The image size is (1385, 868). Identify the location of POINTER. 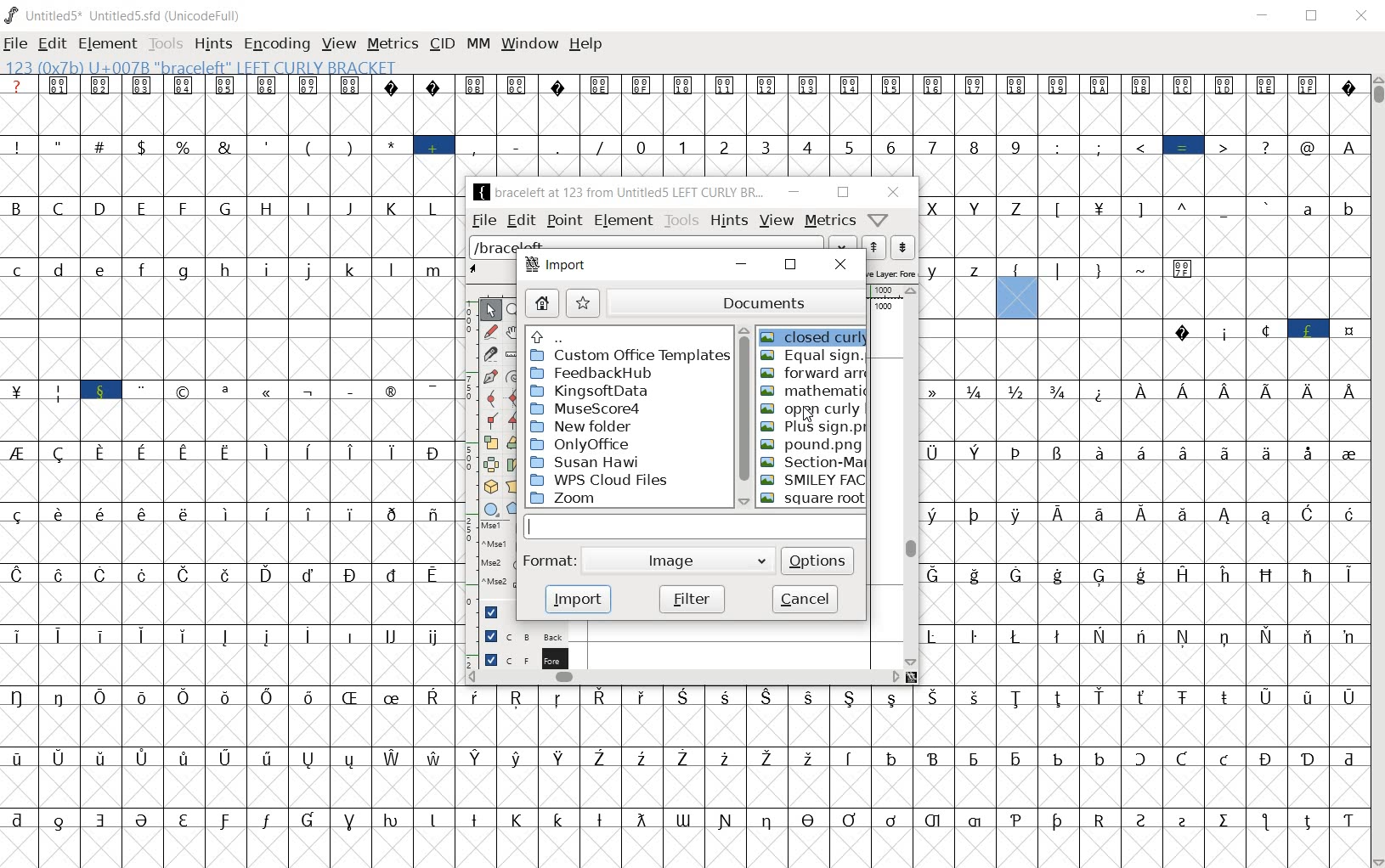
(490, 310).